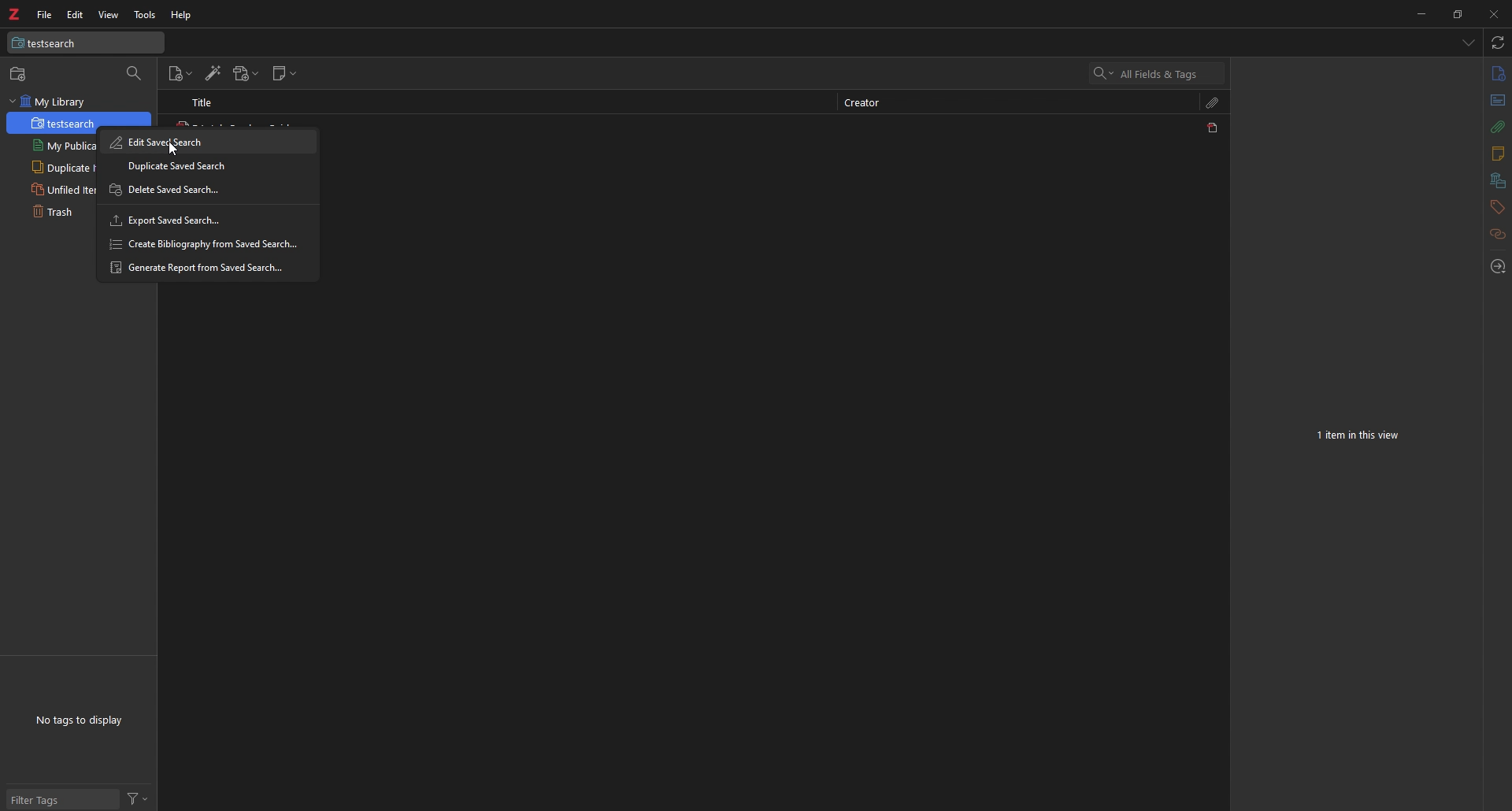 Image resolution: width=1512 pixels, height=811 pixels. I want to click on Filter, so click(138, 798).